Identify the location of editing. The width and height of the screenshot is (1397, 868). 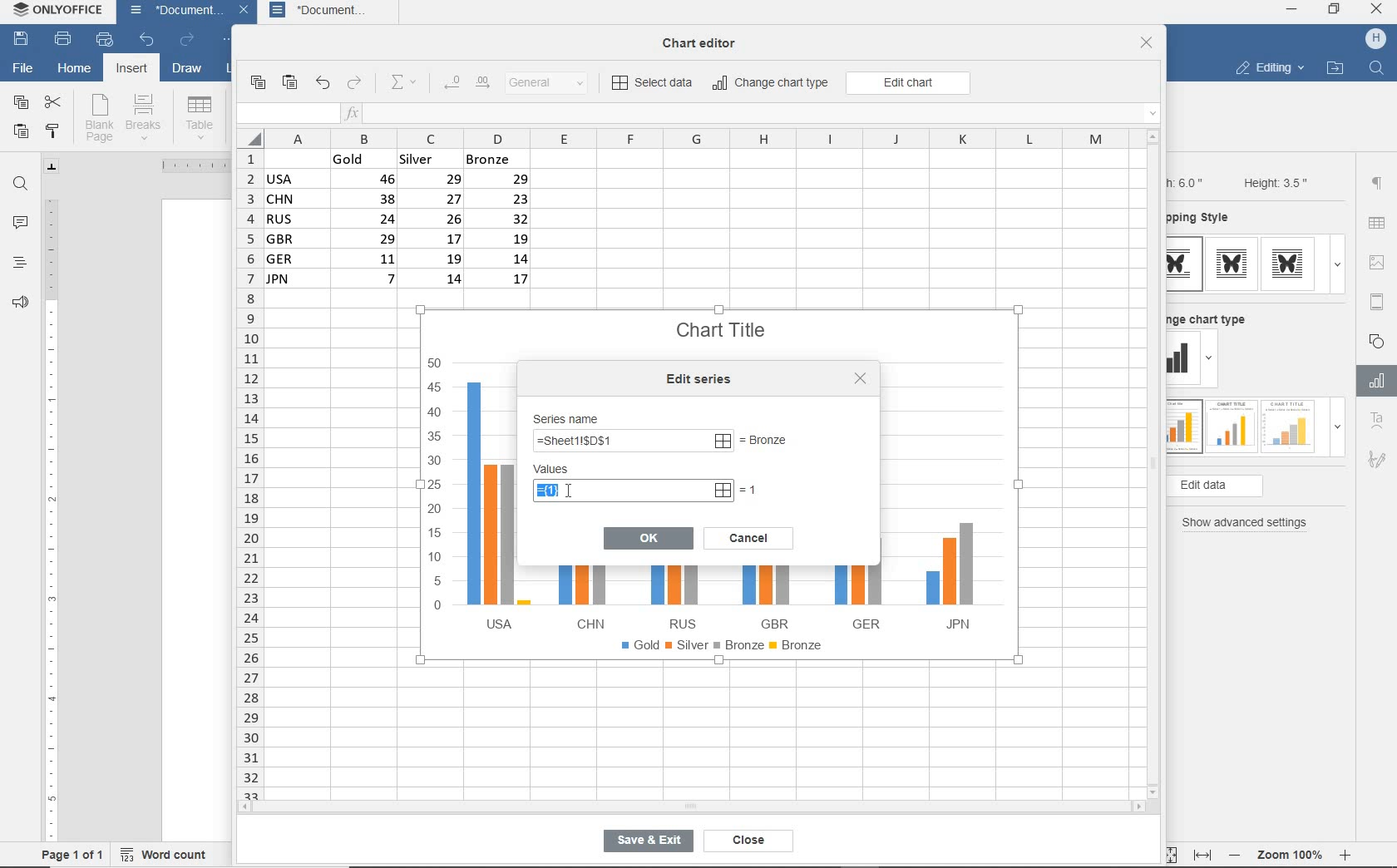
(1269, 70).